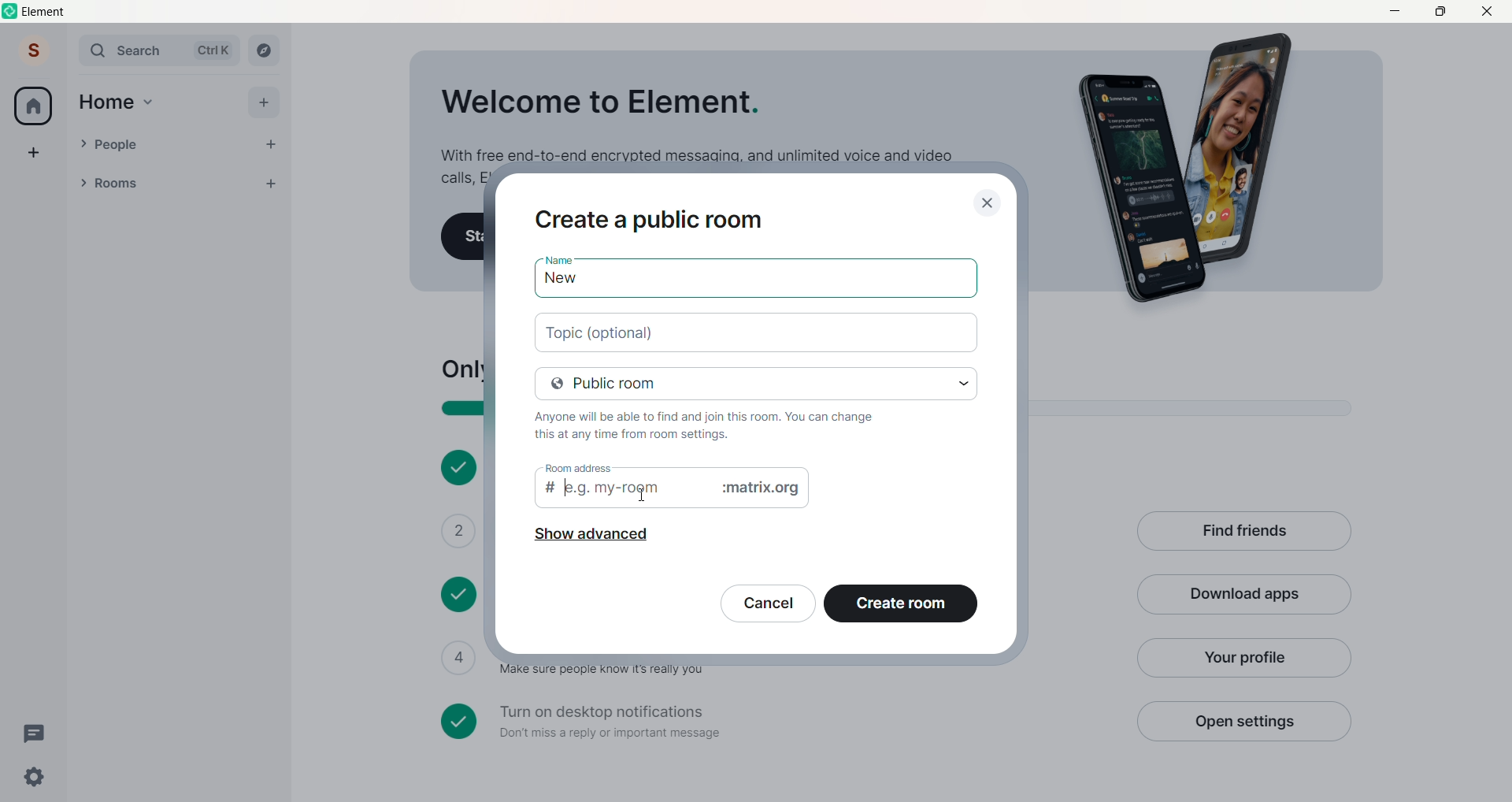 The image size is (1512, 802). I want to click on Add room, so click(276, 181).